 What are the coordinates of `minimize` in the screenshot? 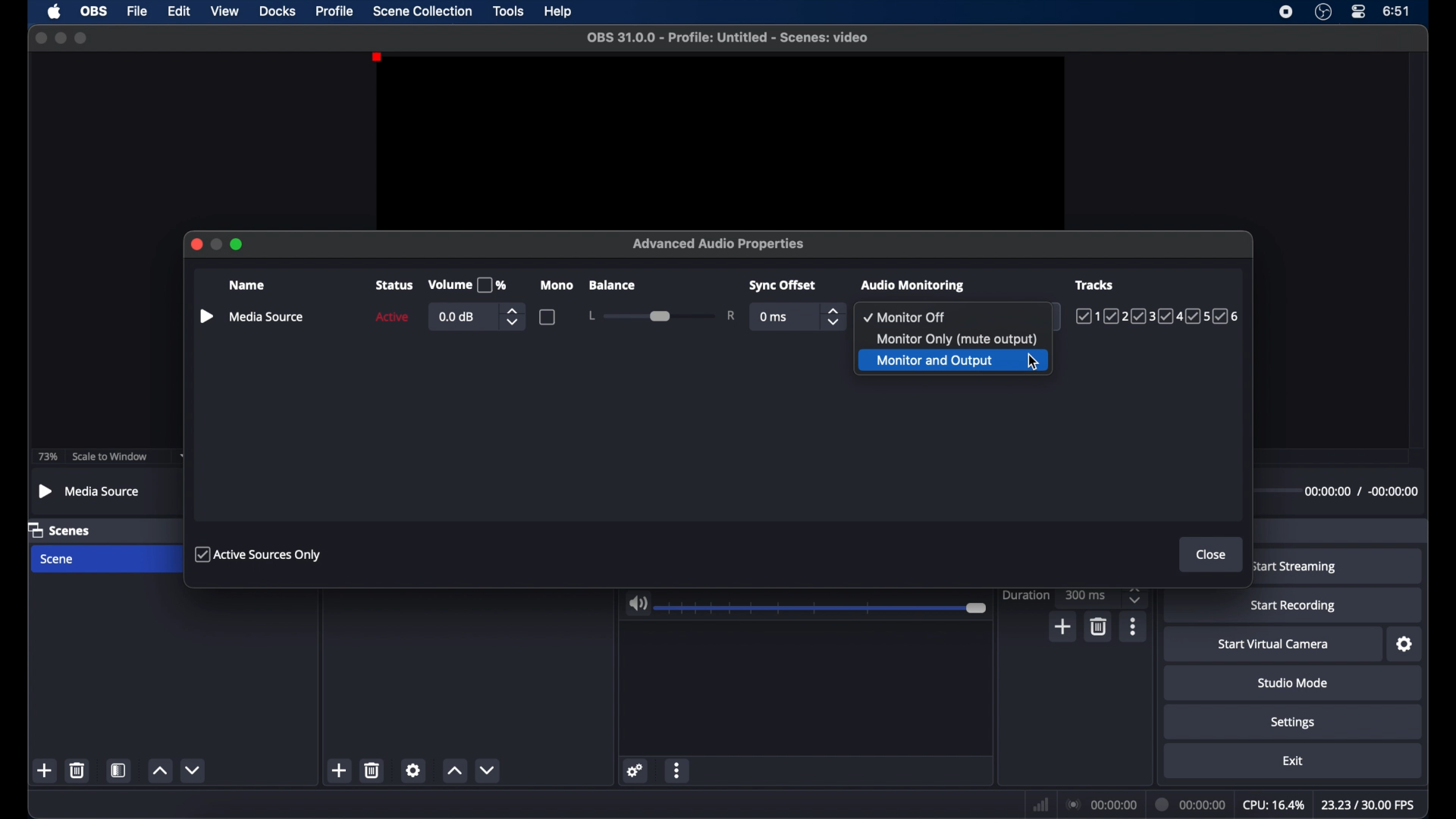 It's located at (60, 37).